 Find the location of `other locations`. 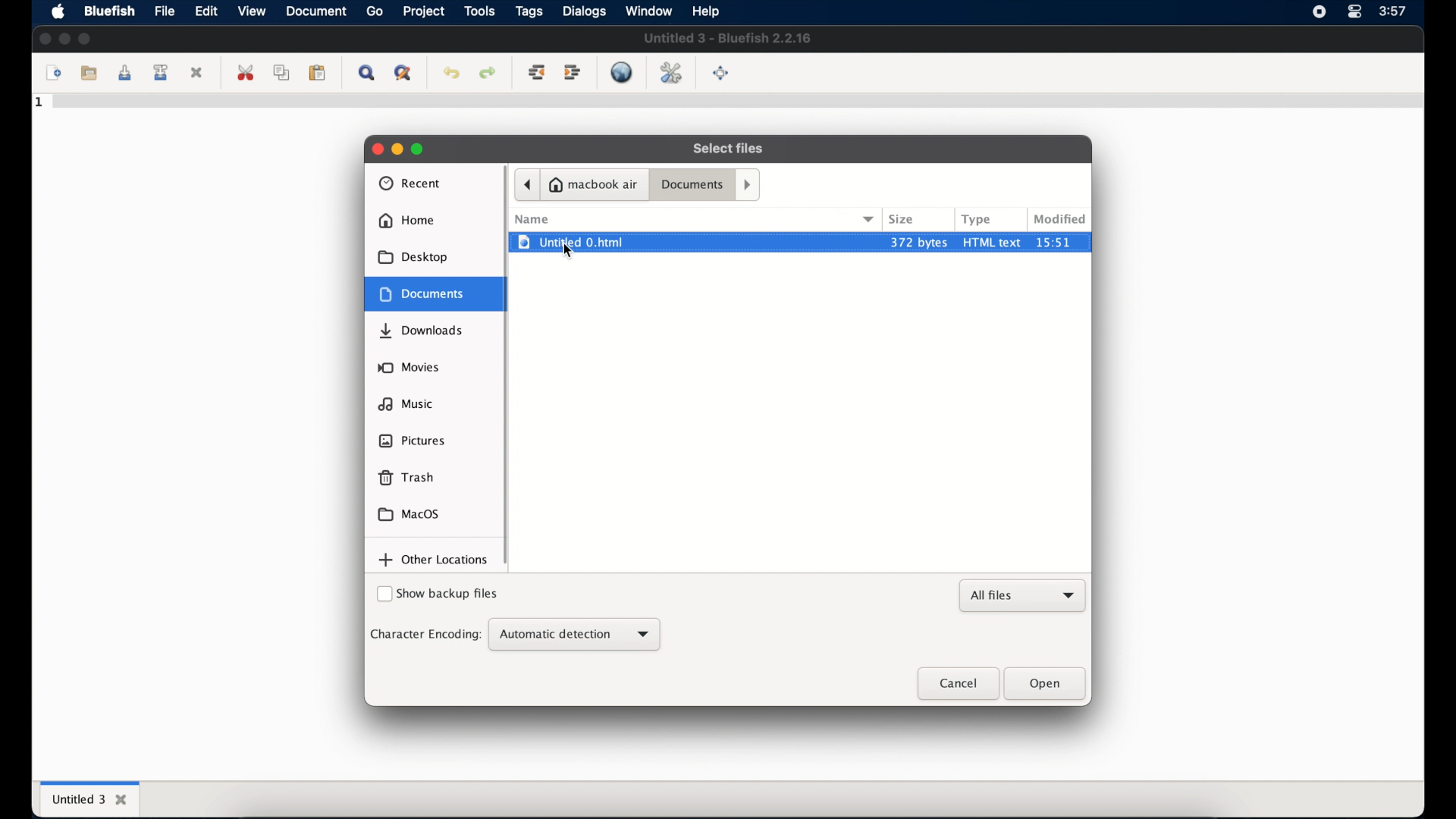

other locations is located at coordinates (434, 560).